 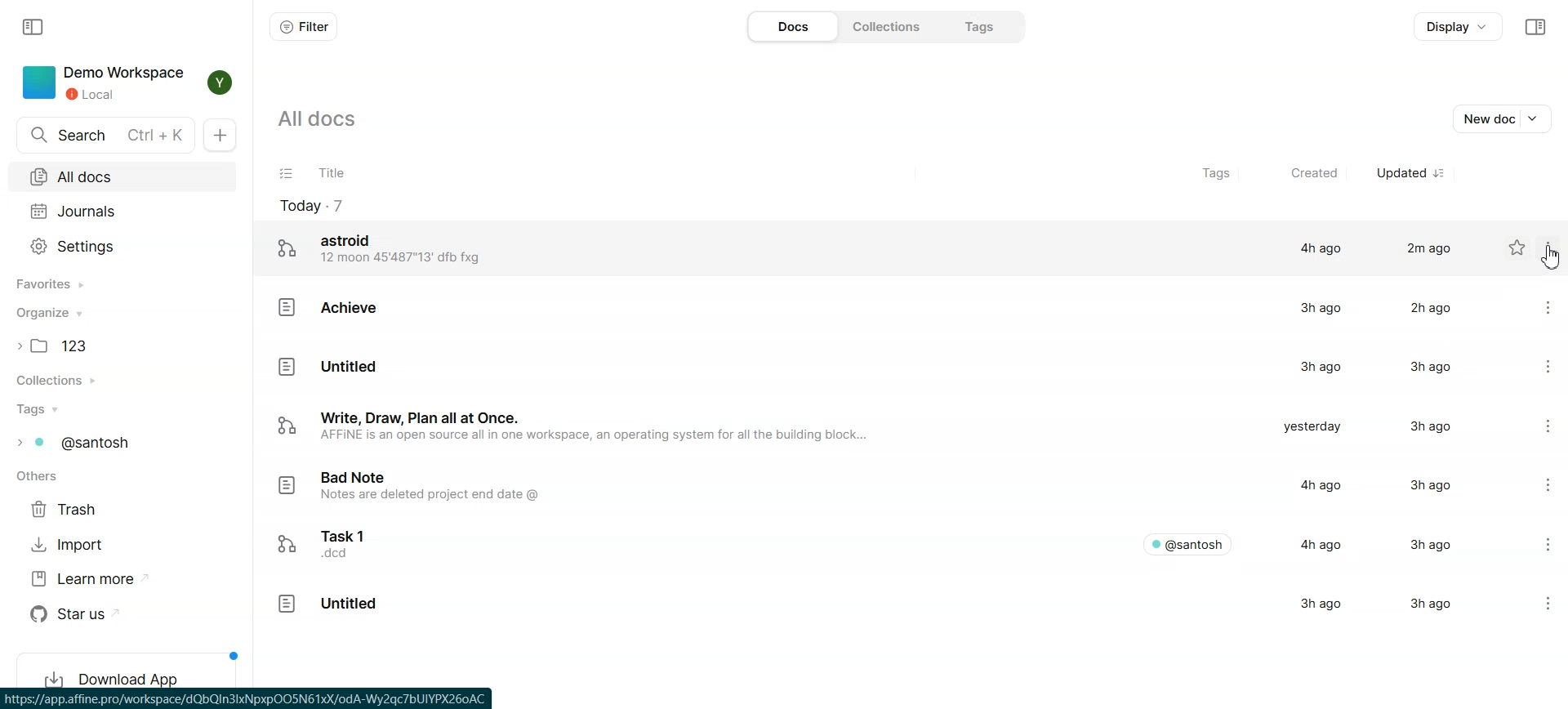 I want to click on Settings, so click(x=124, y=245).